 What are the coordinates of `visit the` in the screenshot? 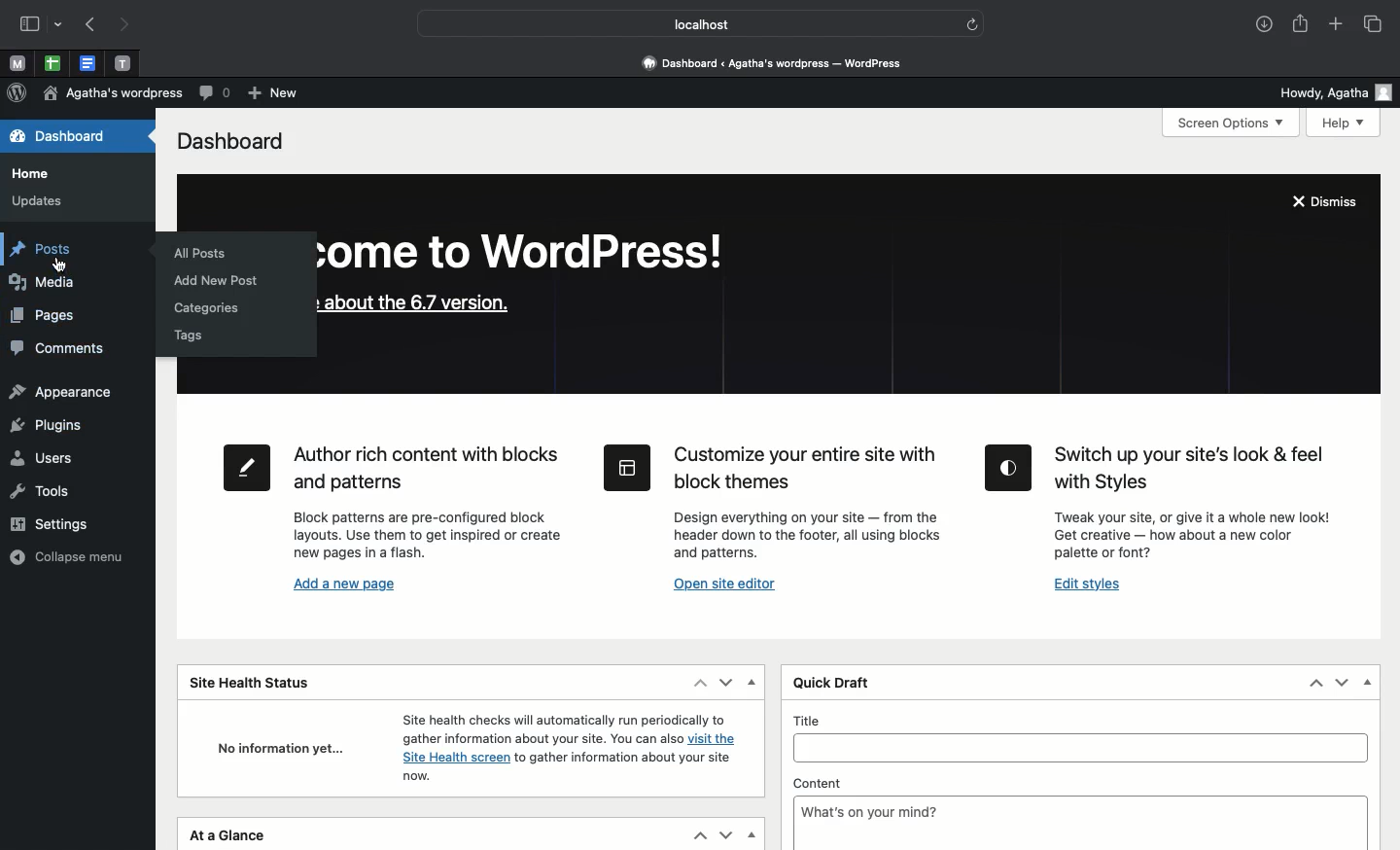 It's located at (717, 740).